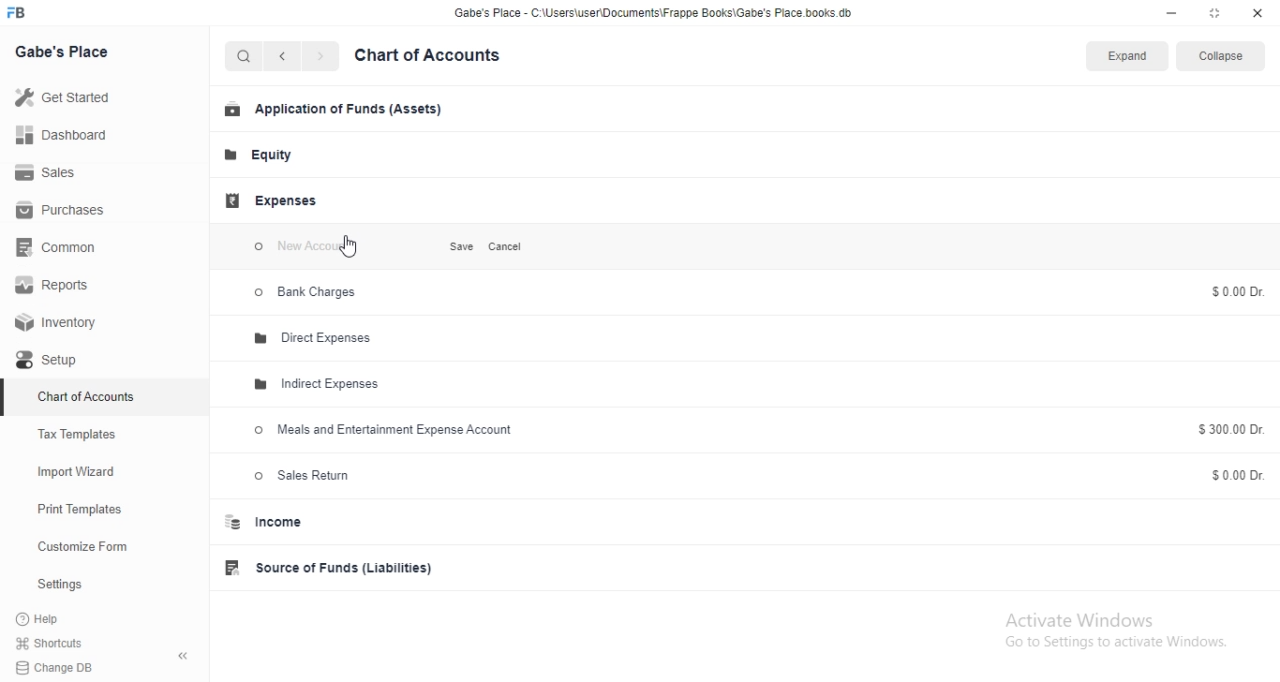  What do you see at coordinates (514, 247) in the screenshot?
I see `Cancel` at bounding box center [514, 247].